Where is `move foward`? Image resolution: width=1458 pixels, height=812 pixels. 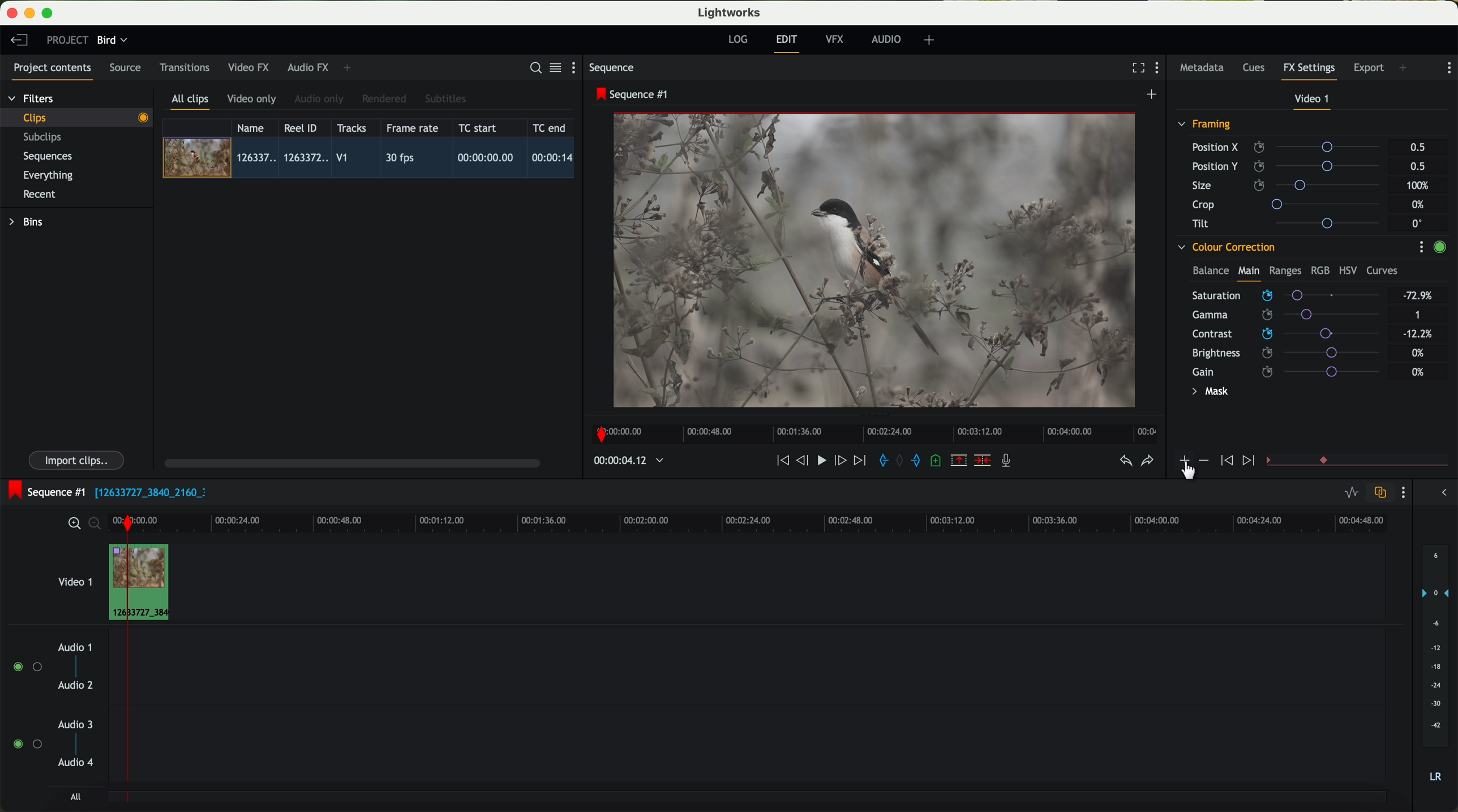
move foward is located at coordinates (859, 461).